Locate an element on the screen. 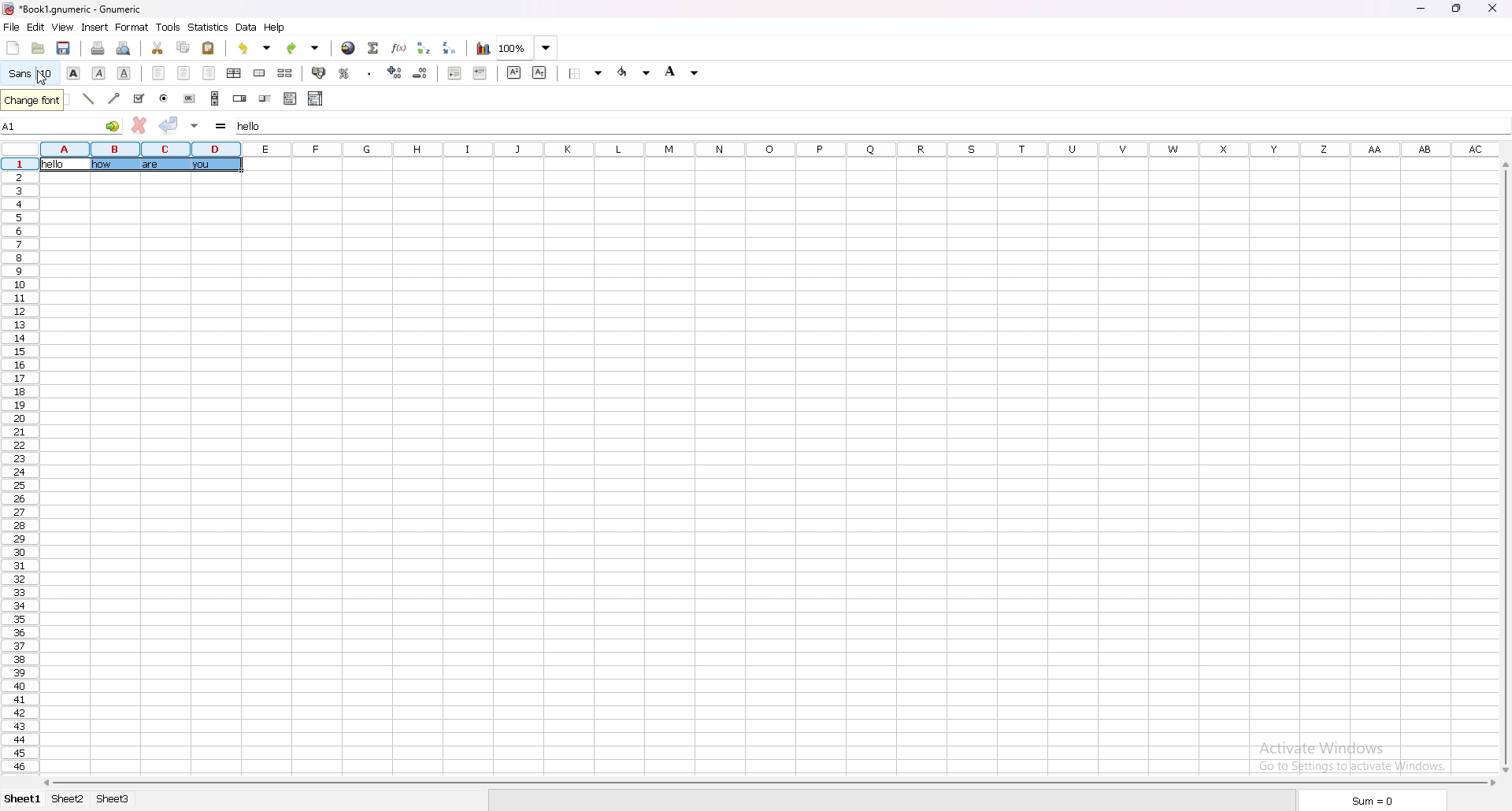 This screenshot has height=811, width=1512. background is located at coordinates (684, 71).